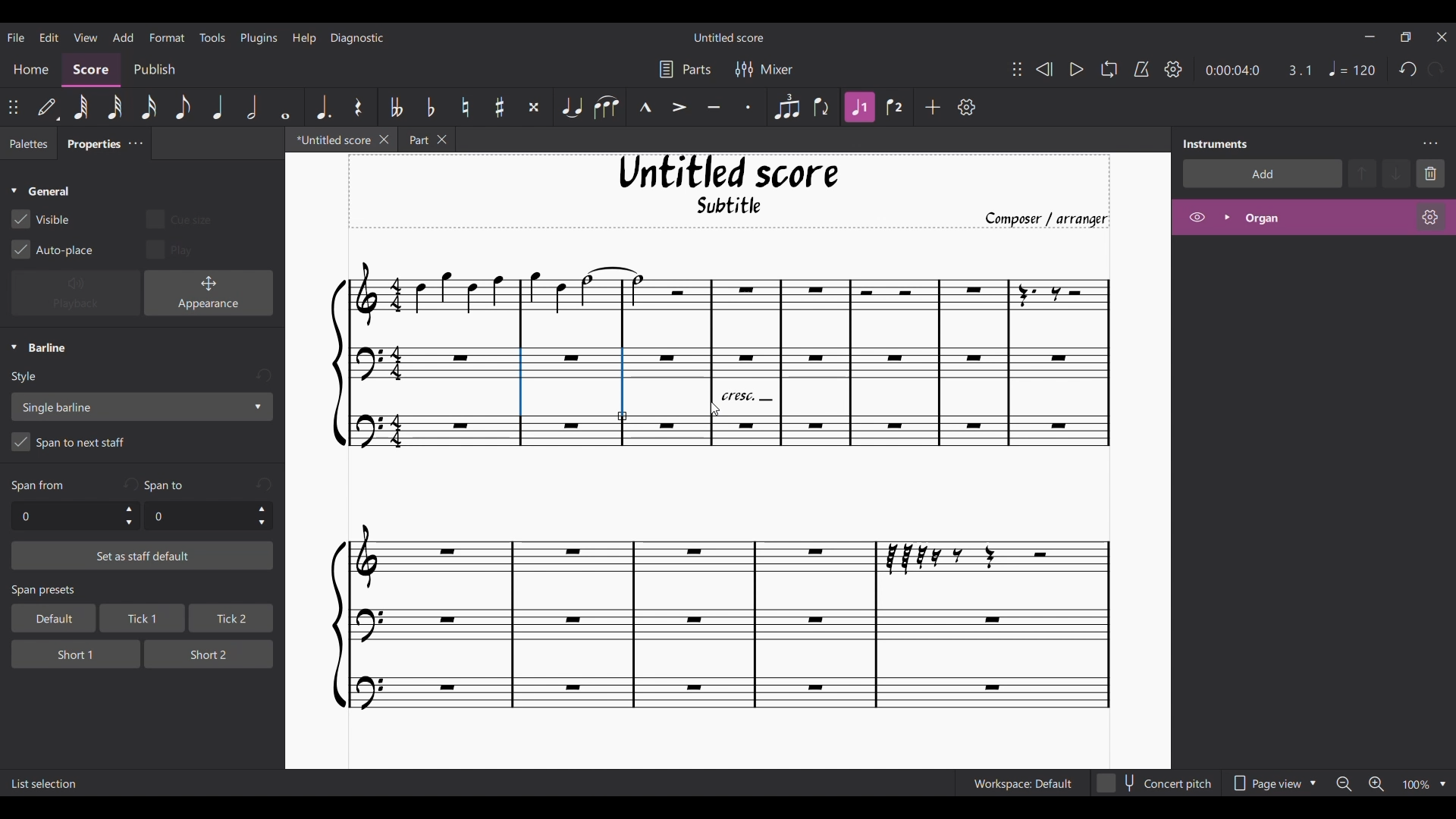 The width and height of the screenshot is (1456, 819). What do you see at coordinates (1352, 69) in the screenshot?
I see `Tempo` at bounding box center [1352, 69].